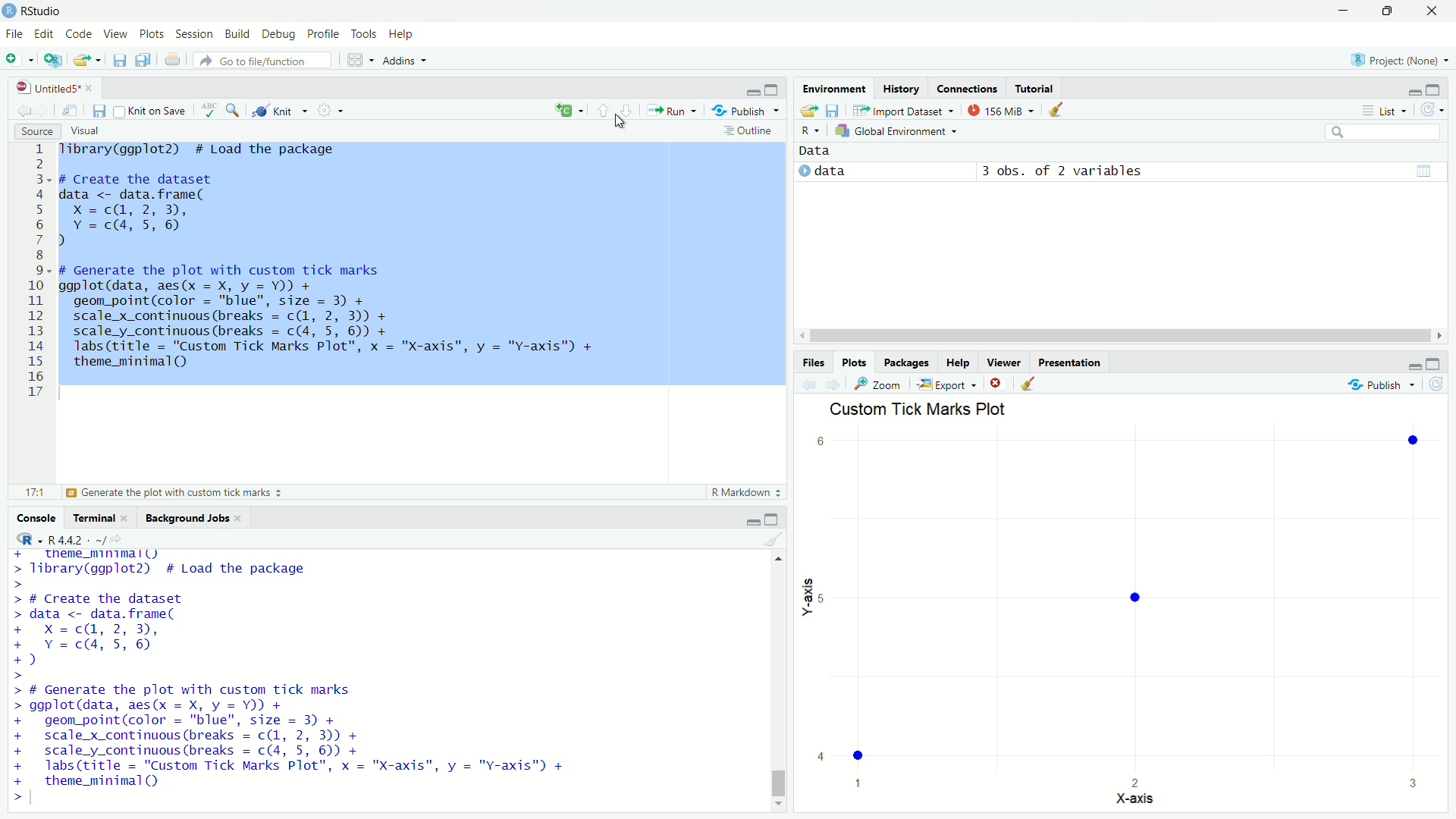  I want to click on profile, so click(323, 34).